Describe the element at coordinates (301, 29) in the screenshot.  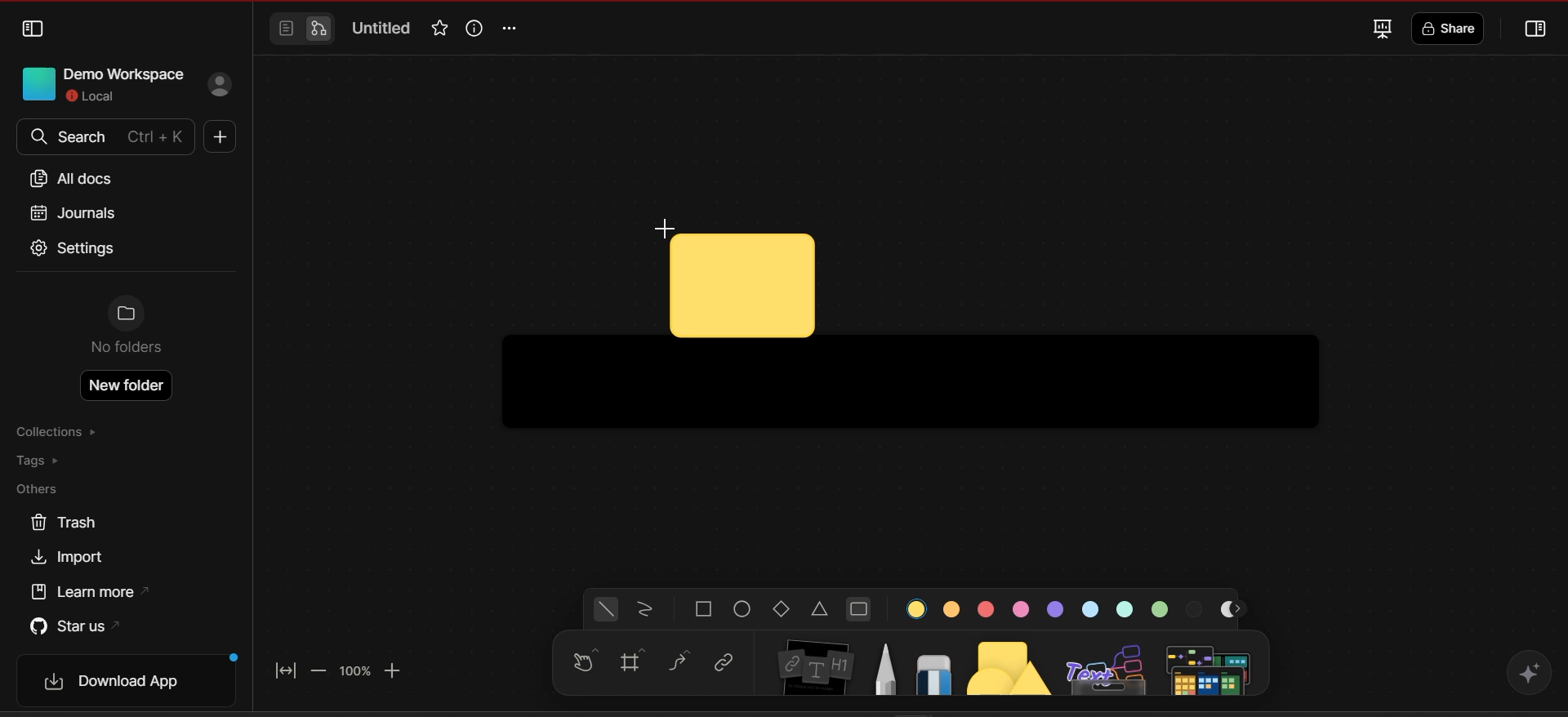
I see `switch` at that location.